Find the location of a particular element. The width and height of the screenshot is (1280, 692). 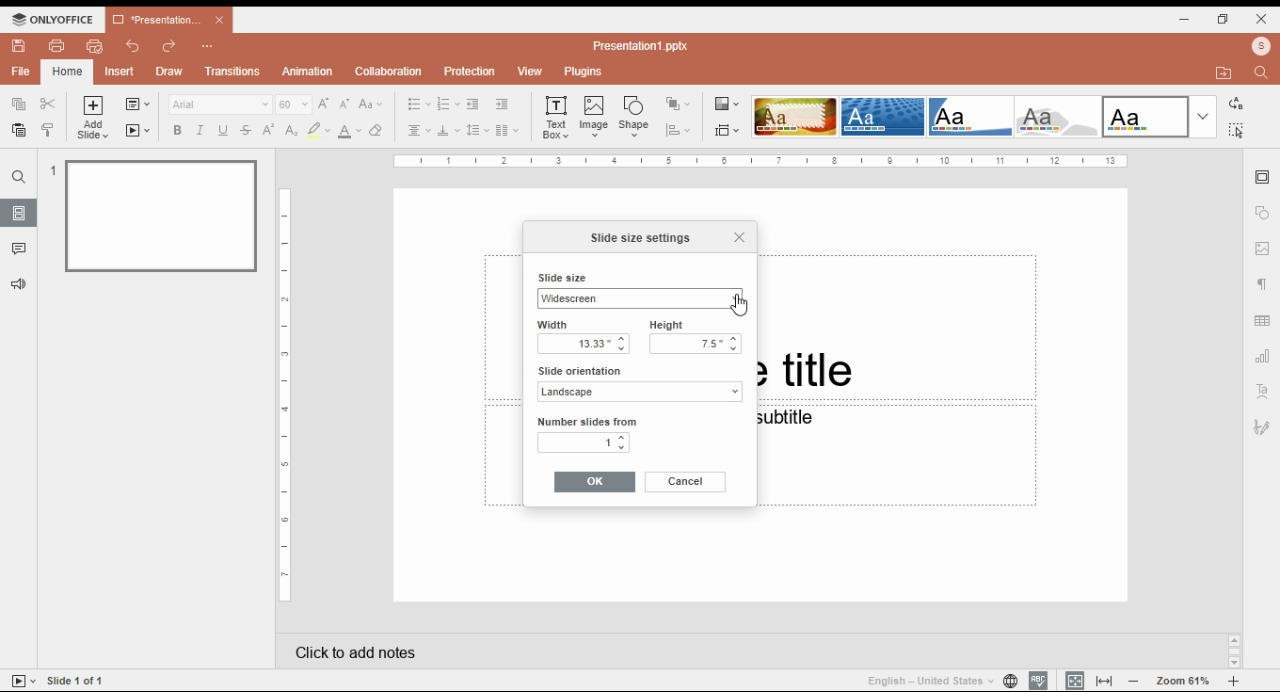

60 is located at coordinates (294, 104).